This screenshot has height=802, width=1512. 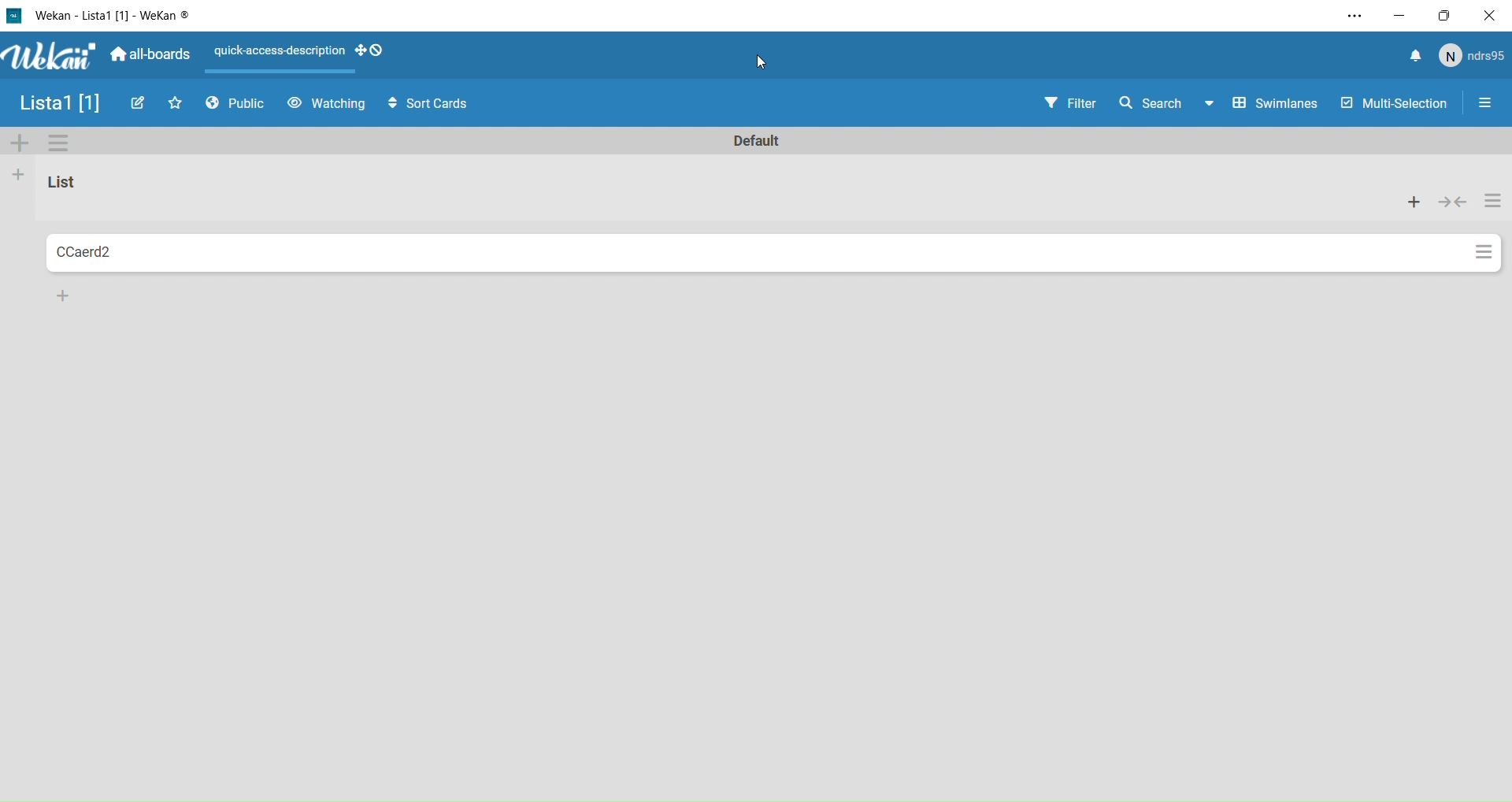 I want to click on Options, so click(x=1488, y=104).